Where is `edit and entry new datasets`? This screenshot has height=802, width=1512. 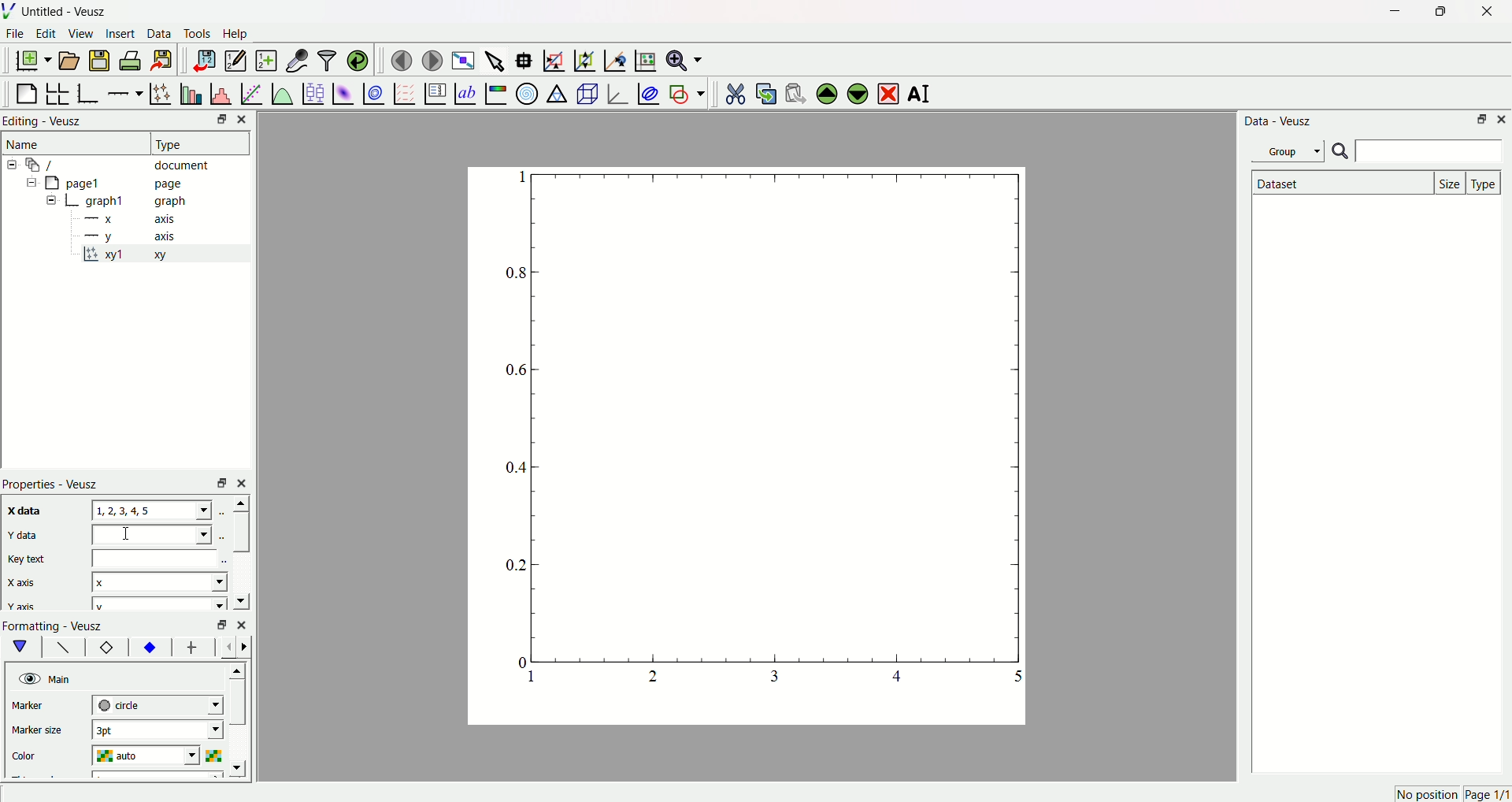
edit and entry new datasets is located at coordinates (235, 62).